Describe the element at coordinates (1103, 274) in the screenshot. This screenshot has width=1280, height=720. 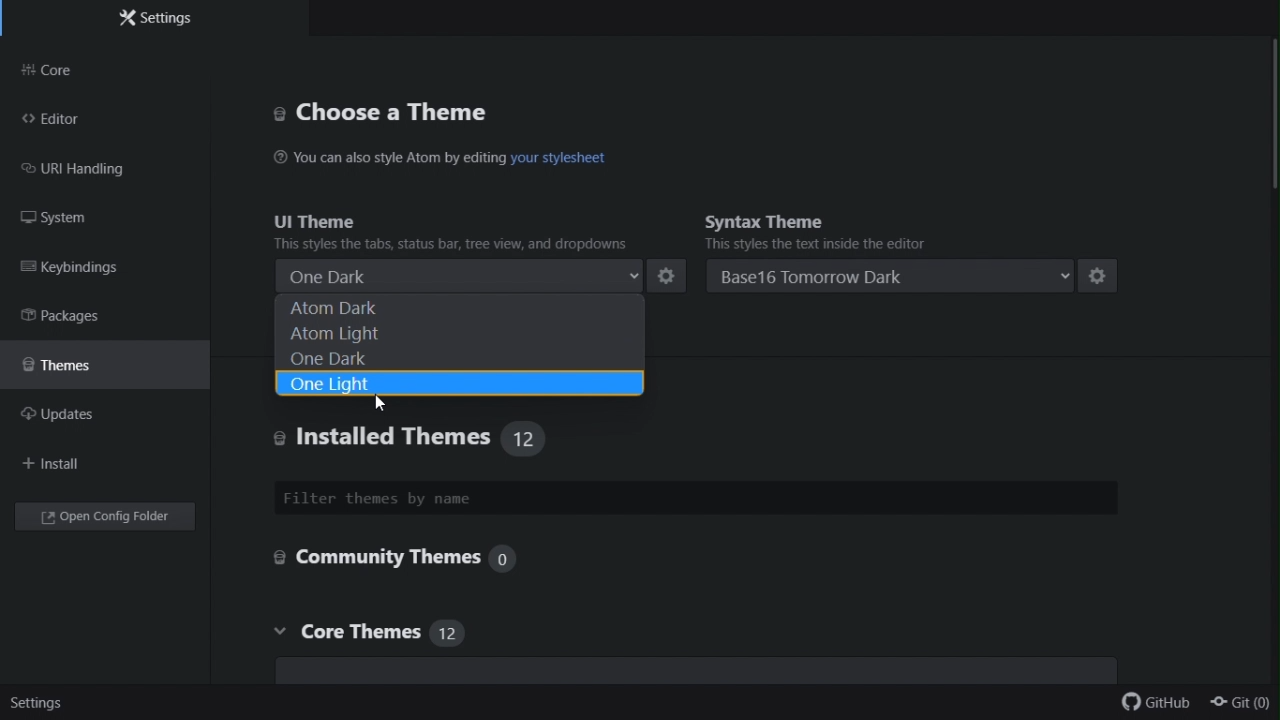
I see `settings` at that location.